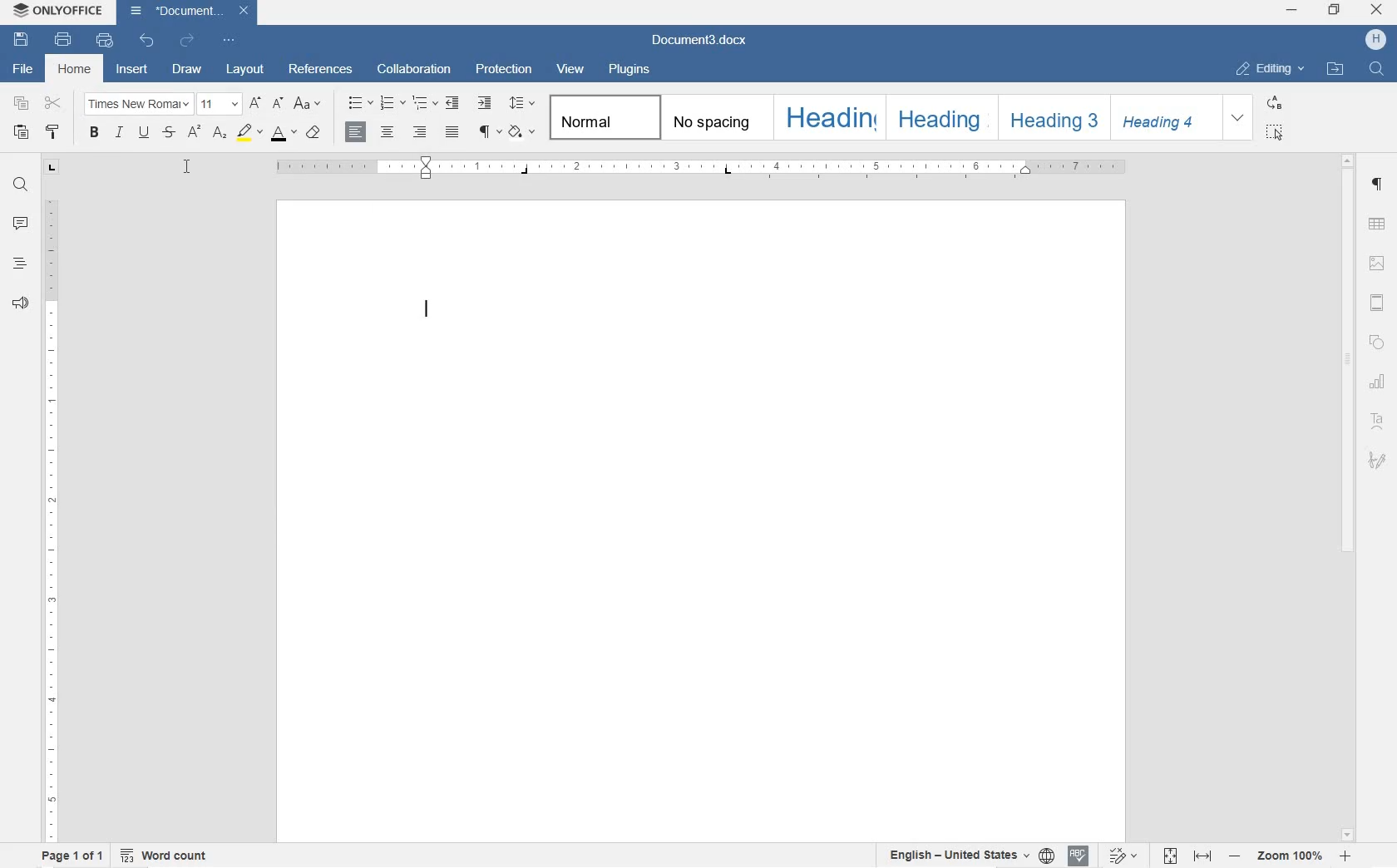 Image resolution: width=1397 pixels, height=868 pixels. What do you see at coordinates (21, 39) in the screenshot?
I see `SAVE` at bounding box center [21, 39].